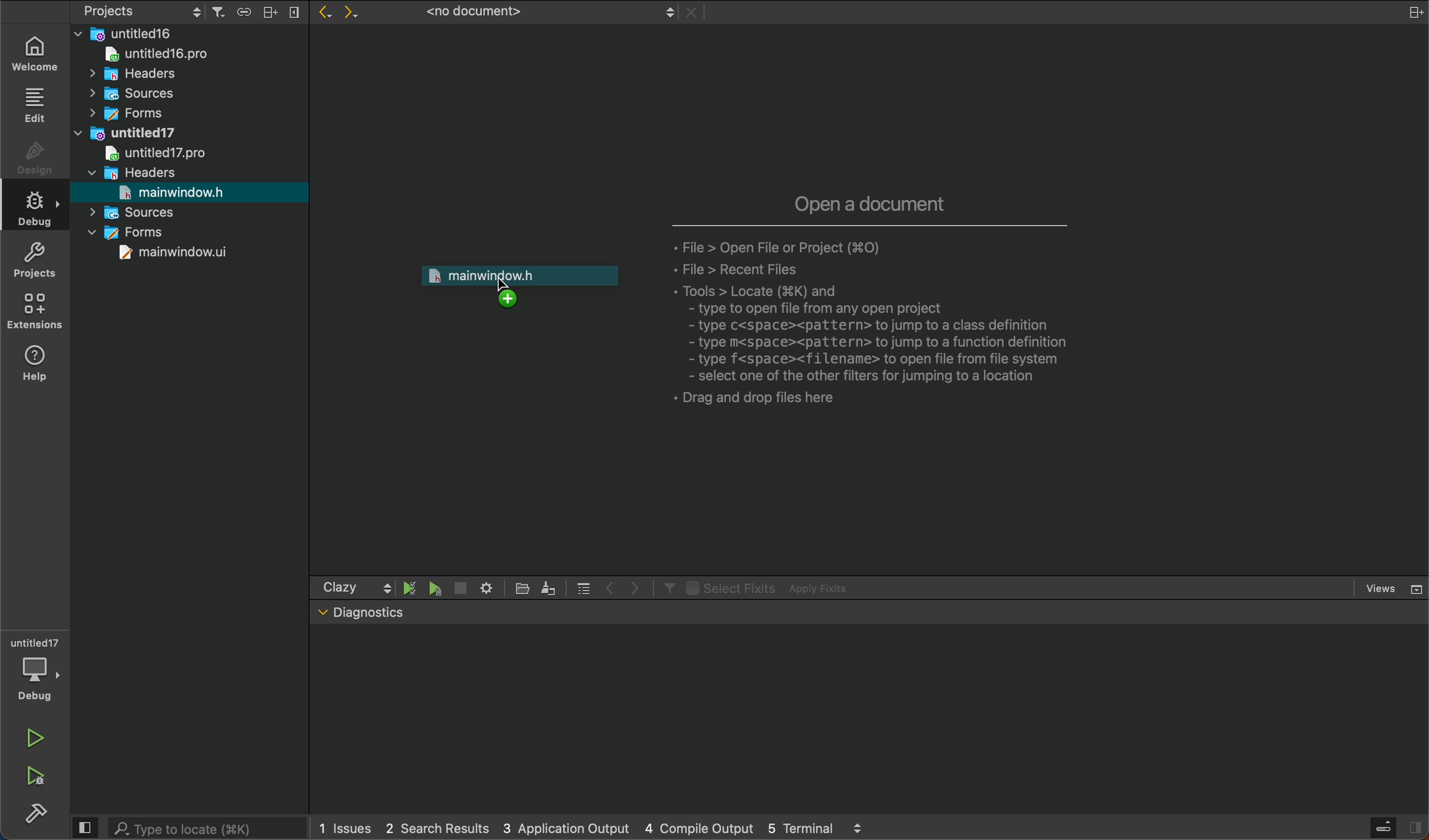 The image size is (1429, 840). Describe the element at coordinates (293, 12) in the screenshot. I see `Menu` at that location.